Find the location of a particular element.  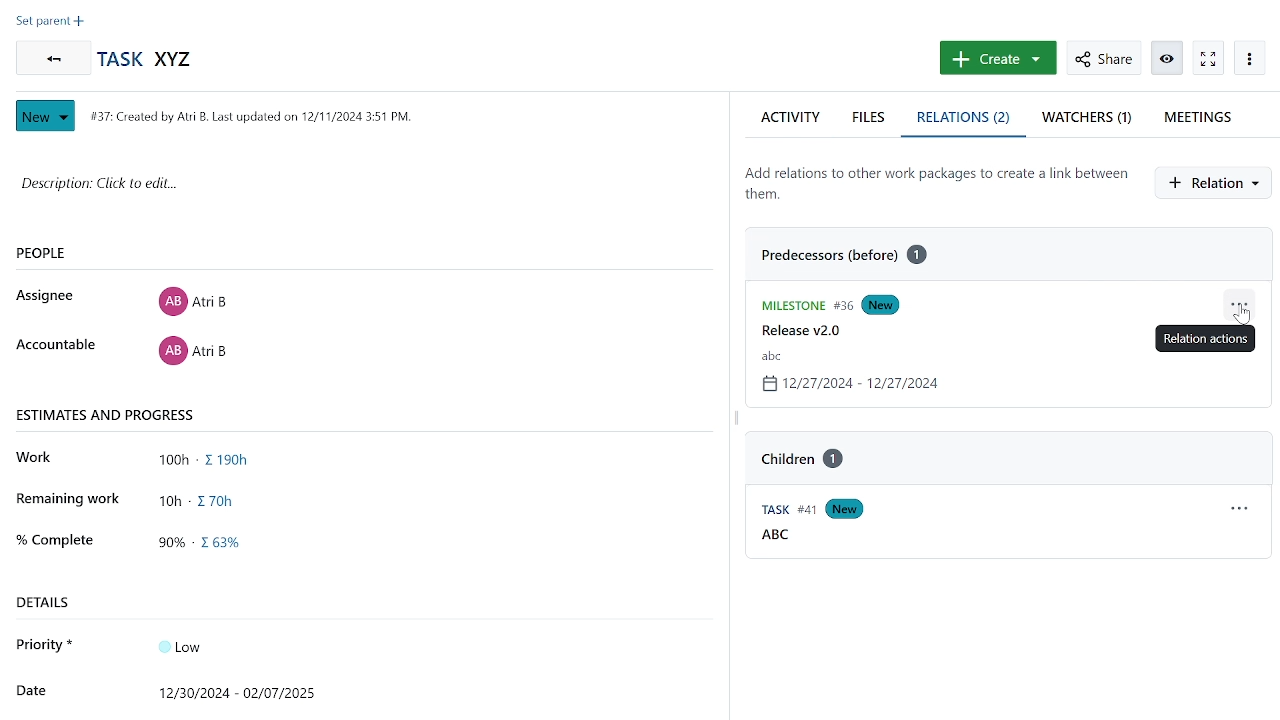

share is located at coordinates (1103, 58).